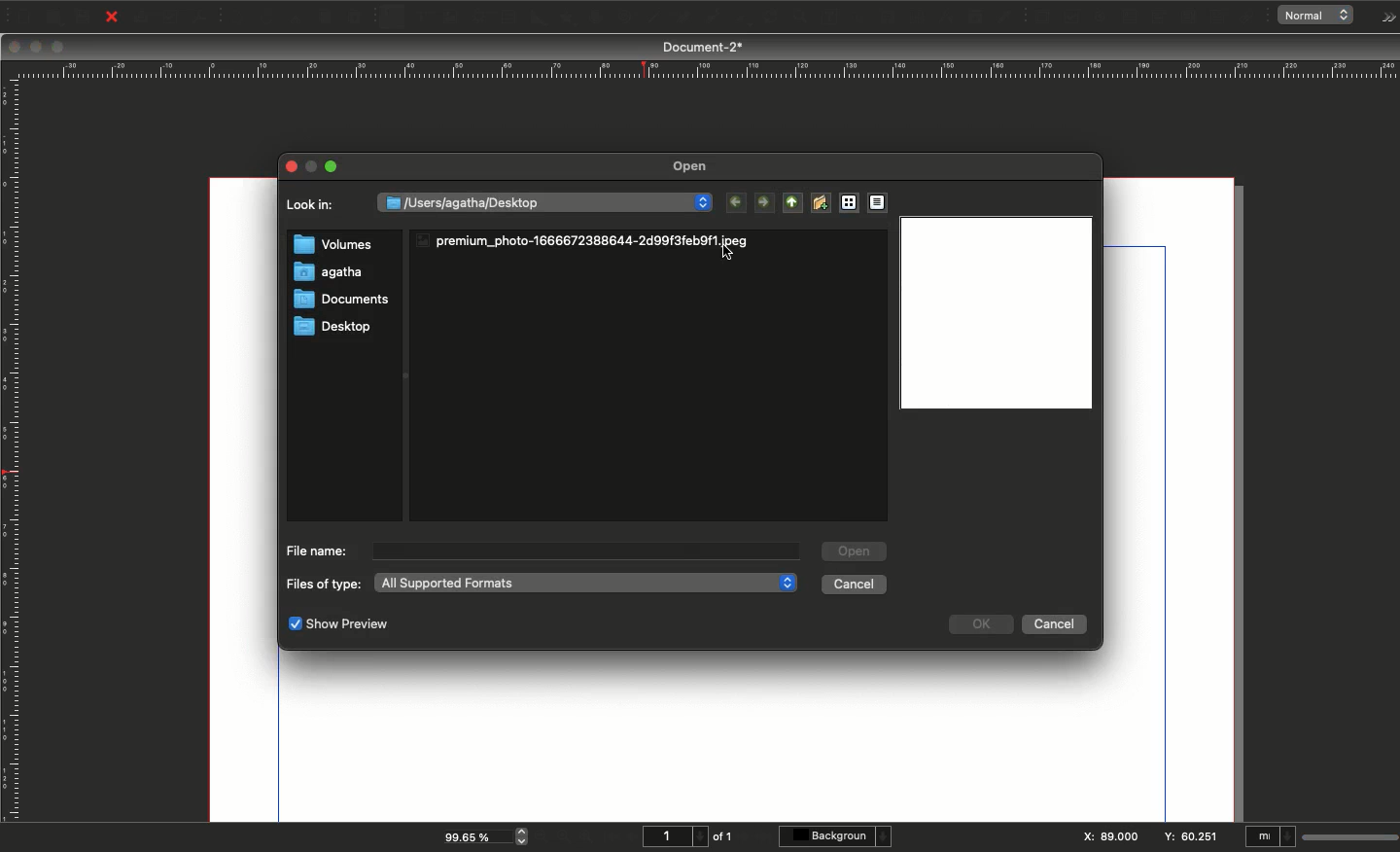  Describe the element at coordinates (540, 18) in the screenshot. I see `Shape` at that location.